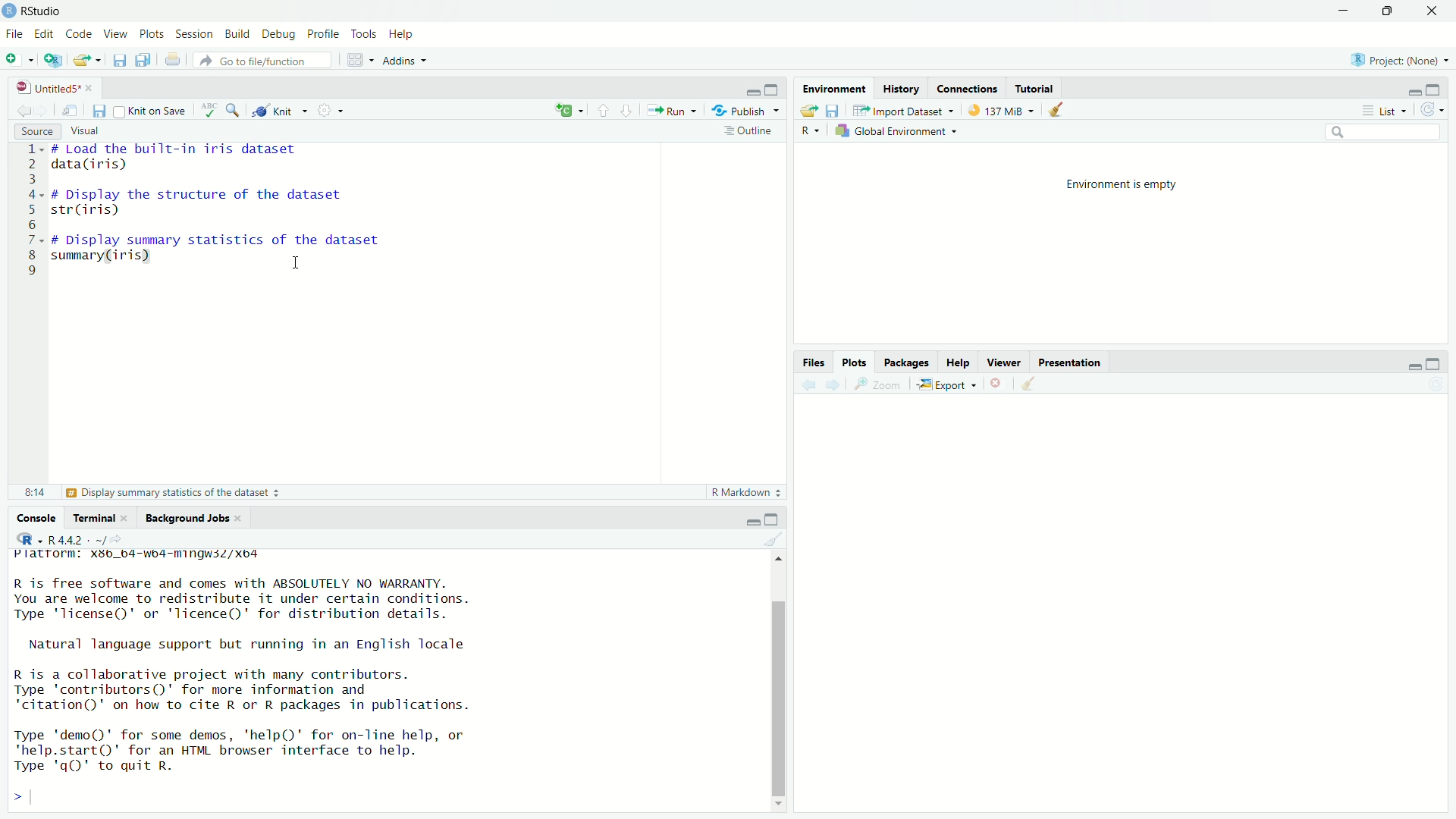 This screenshot has width=1456, height=819. What do you see at coordinates (746, 491) in the screenshot?
I see `R Markdown` at bounding box center [746, 491].